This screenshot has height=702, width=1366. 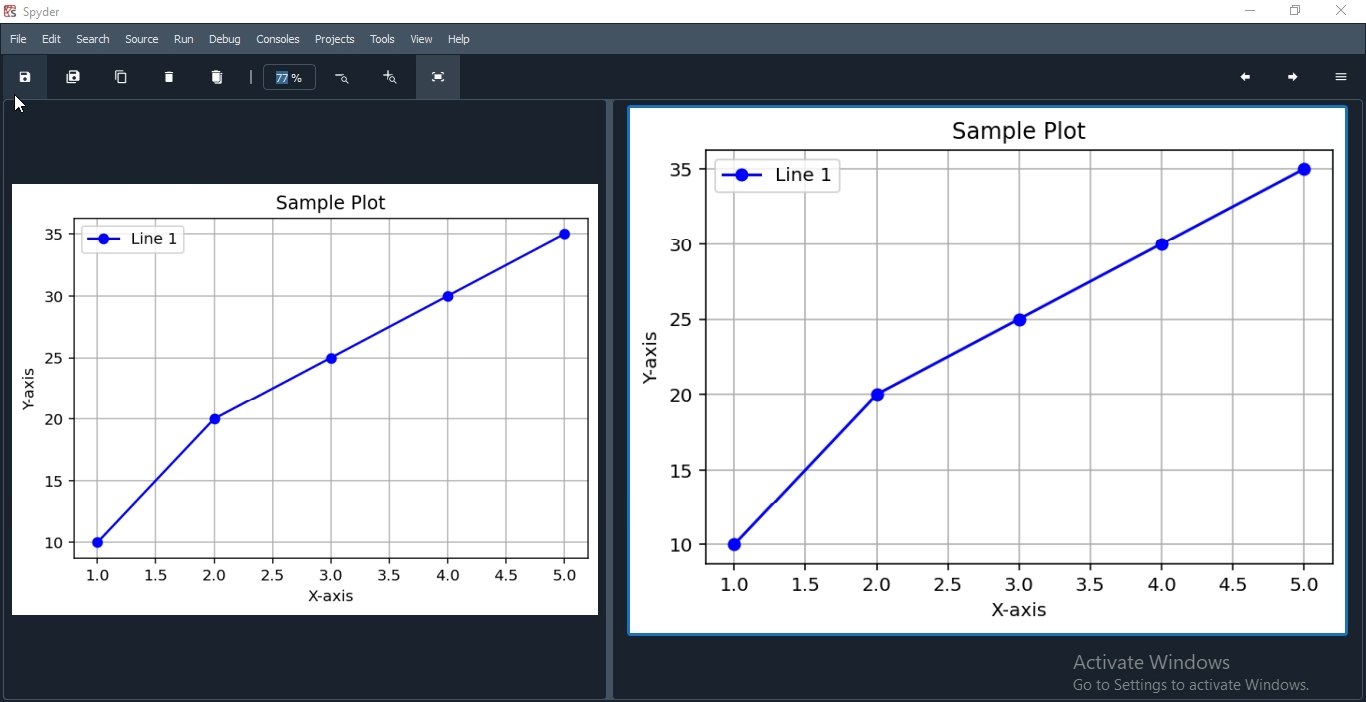 I want to click on previous plot, so click(x=1244, y=76).